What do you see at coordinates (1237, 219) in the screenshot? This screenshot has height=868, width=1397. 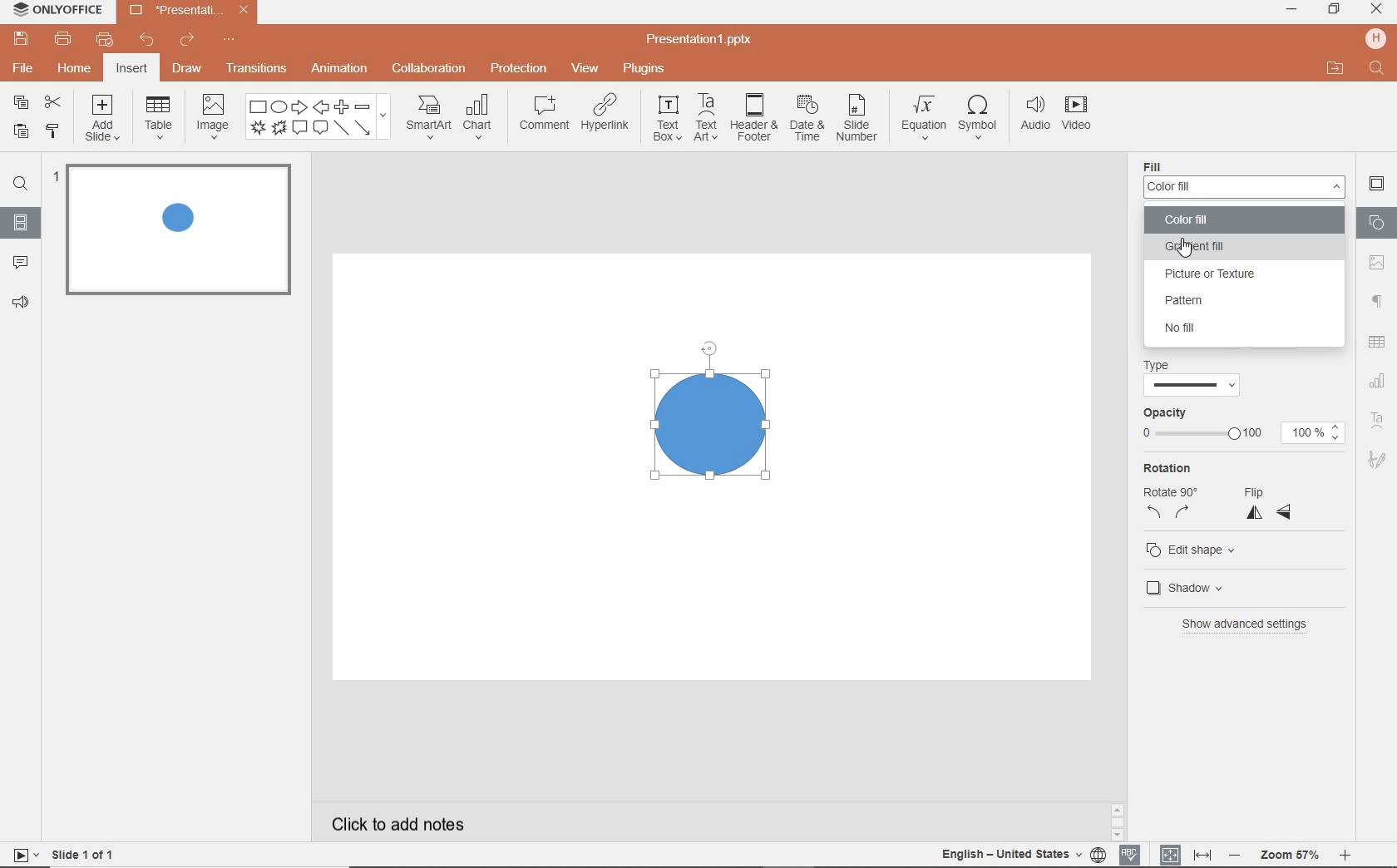 I see `color fill` at bounding box center [1237, 219].